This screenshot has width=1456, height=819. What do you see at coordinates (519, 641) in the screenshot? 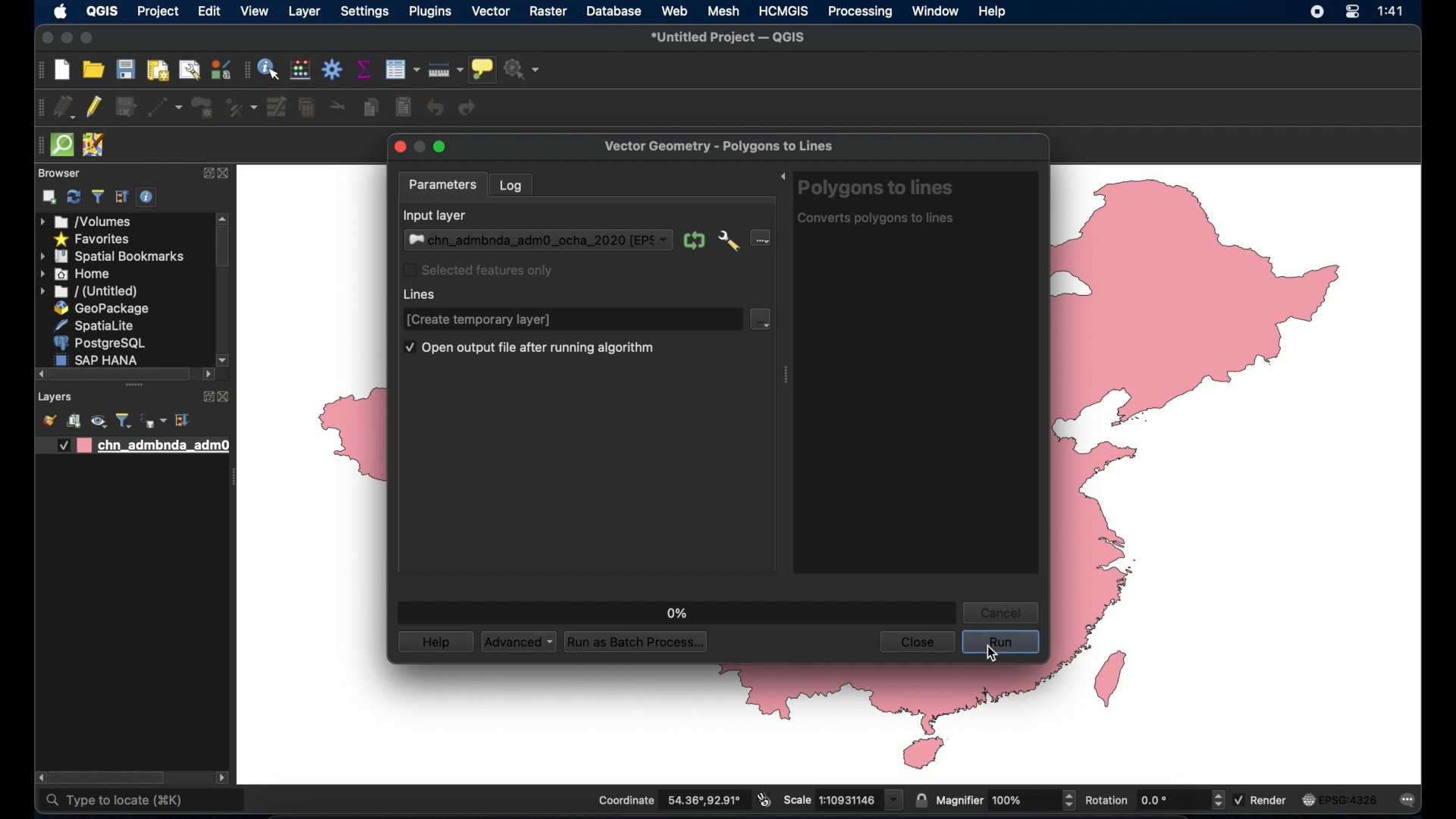
I see `advanced` at bounding box center [519, 641].